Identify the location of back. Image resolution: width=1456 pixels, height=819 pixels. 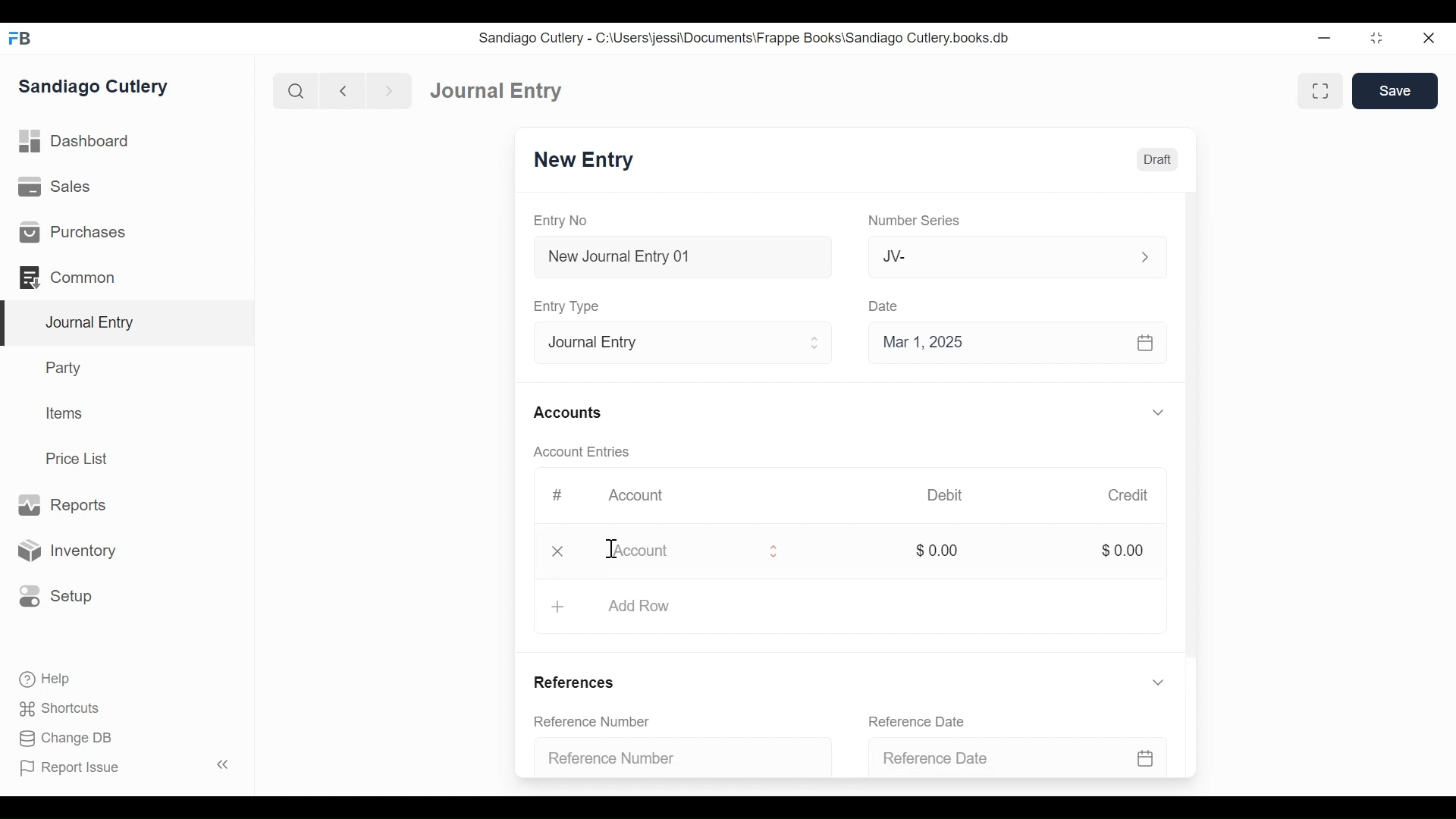
(343, 89).